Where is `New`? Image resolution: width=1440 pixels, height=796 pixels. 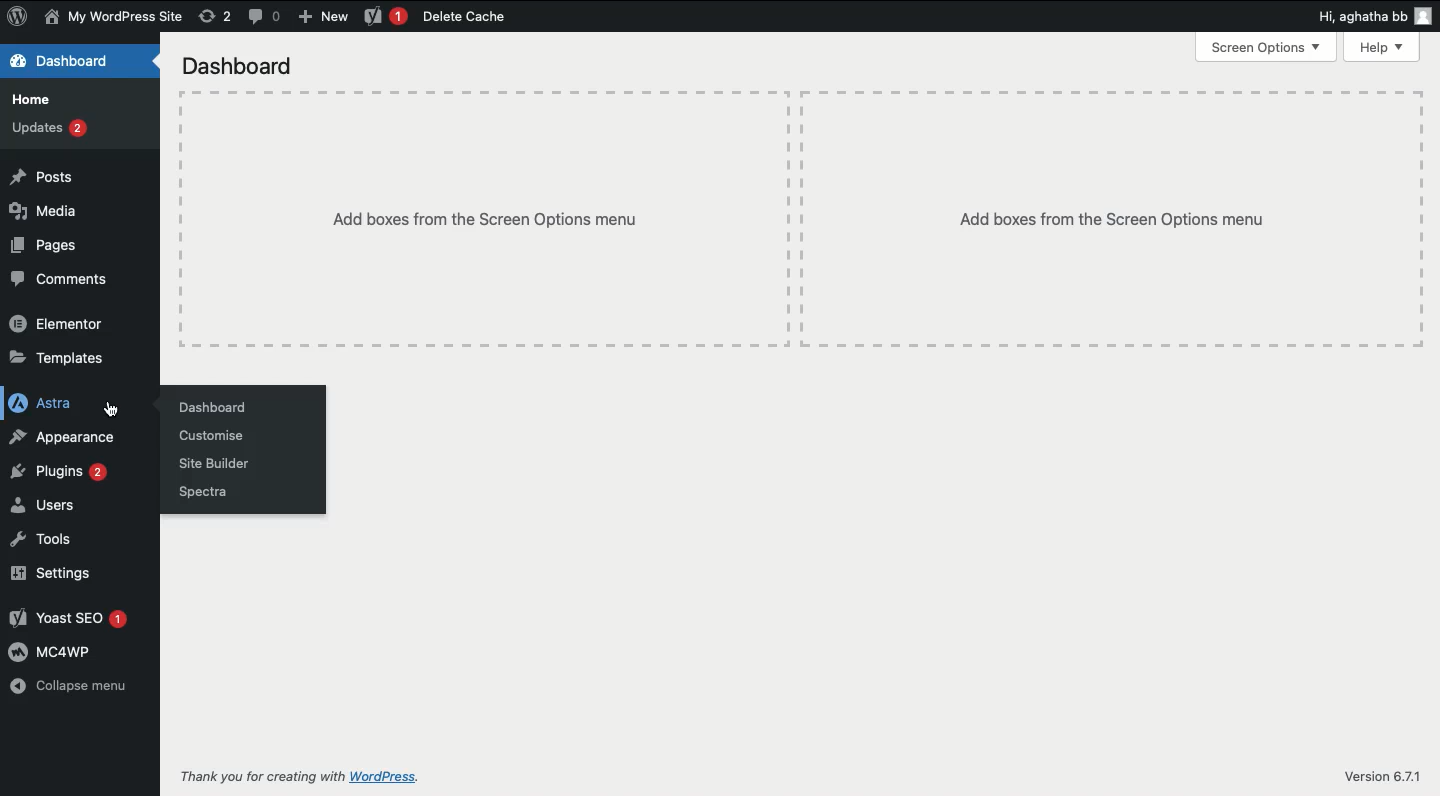 New is located at coordinates (327, 18).